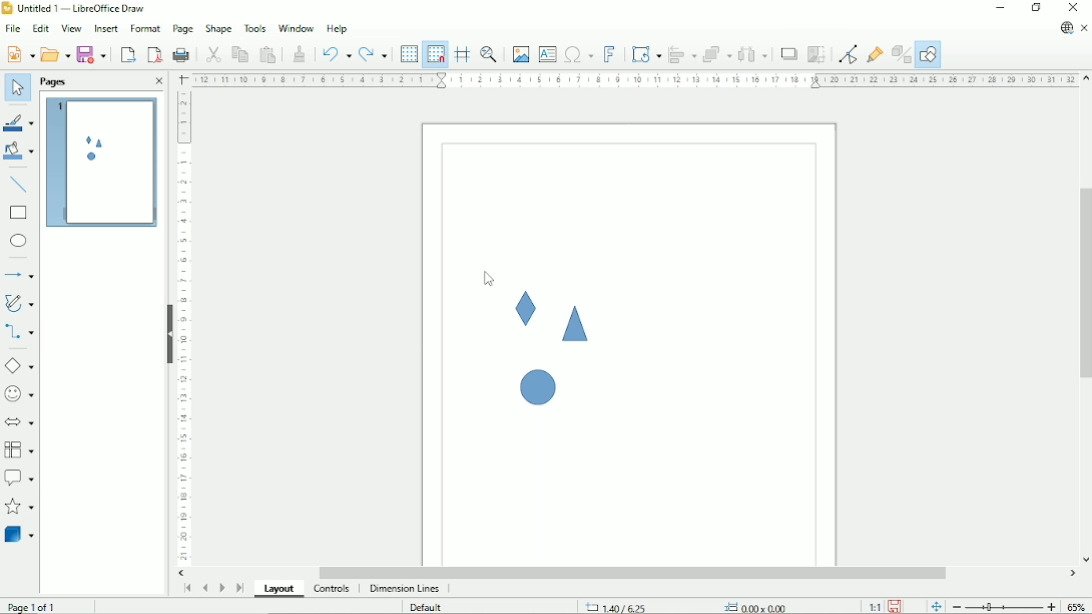  What do you see at coordinates (374, 53) in the screenshot?
I see `Redo` at bounding box center [374, 53].